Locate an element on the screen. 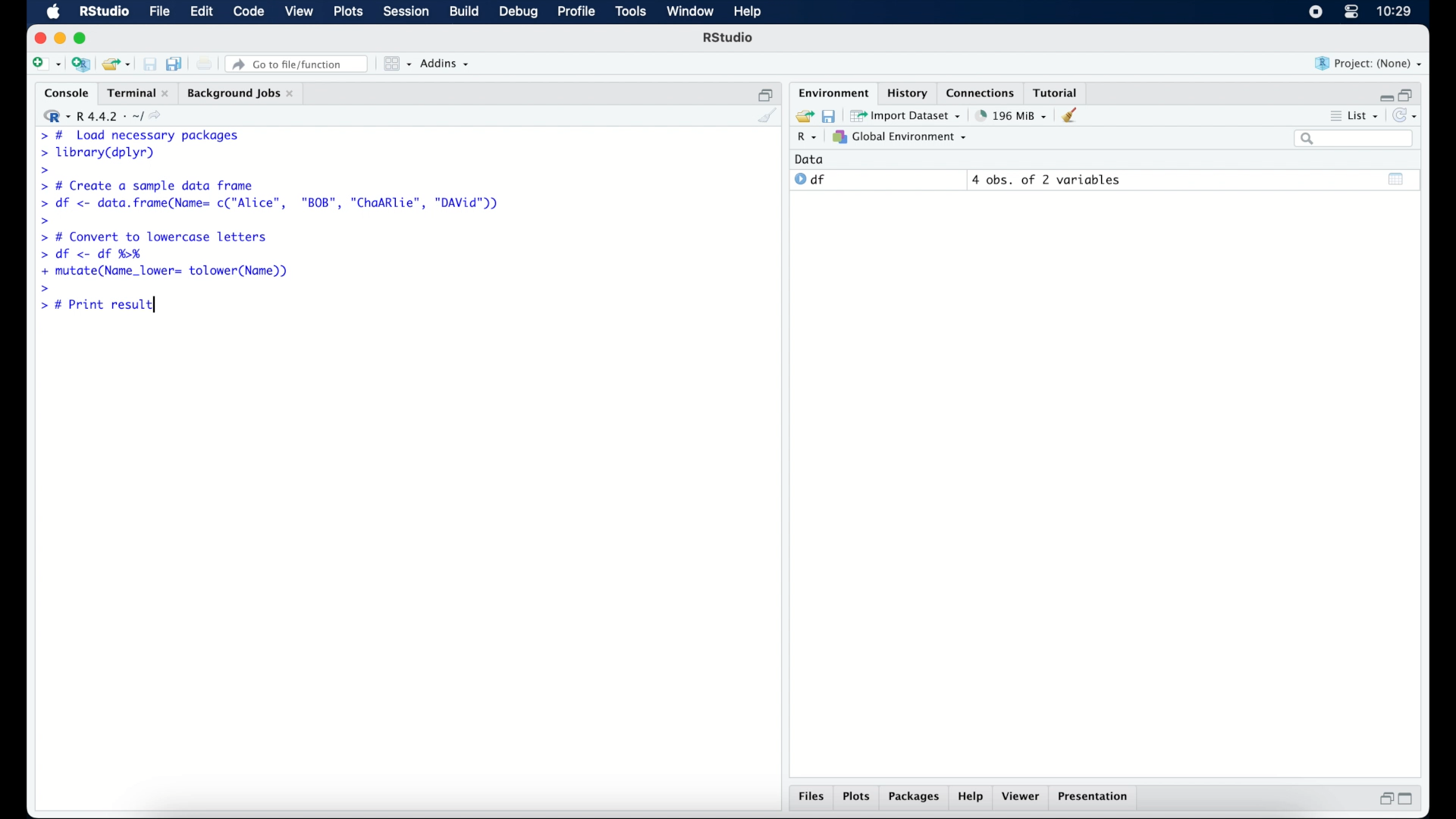 Image resolution: width=1456 pixels, height=819 pixels. files is located at coordinates (811, 799).